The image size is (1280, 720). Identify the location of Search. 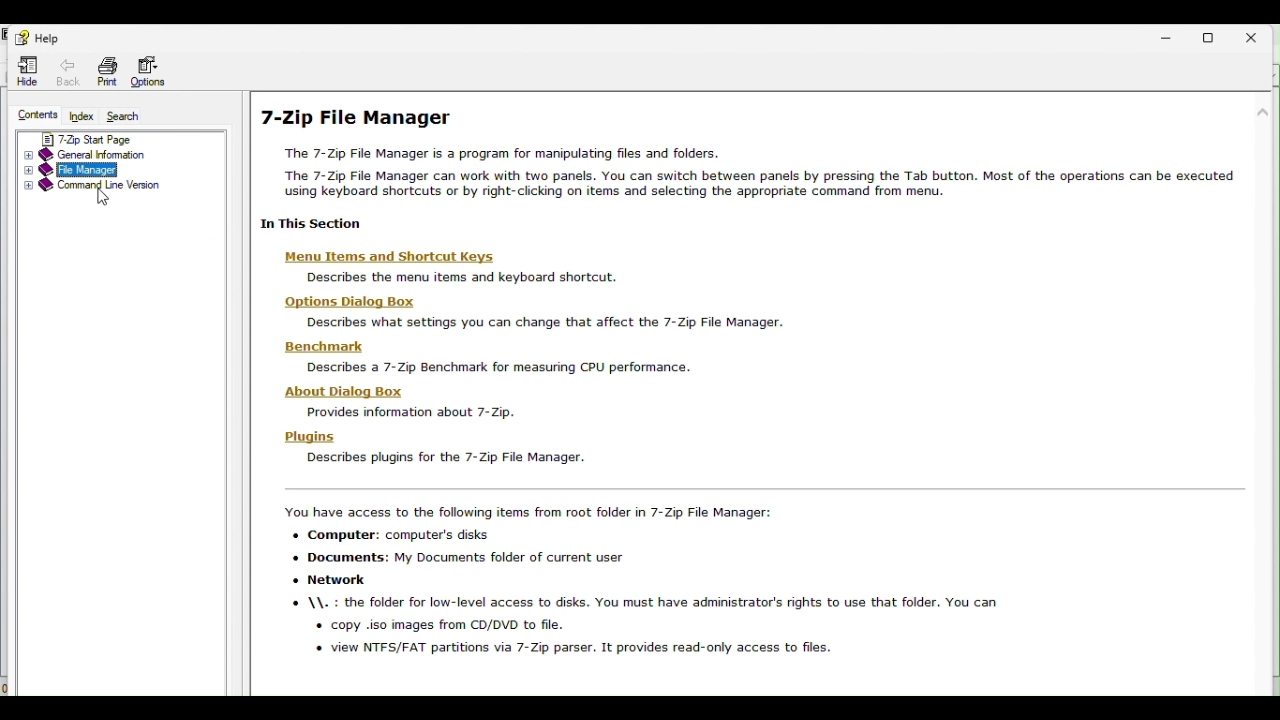
(127, 118).